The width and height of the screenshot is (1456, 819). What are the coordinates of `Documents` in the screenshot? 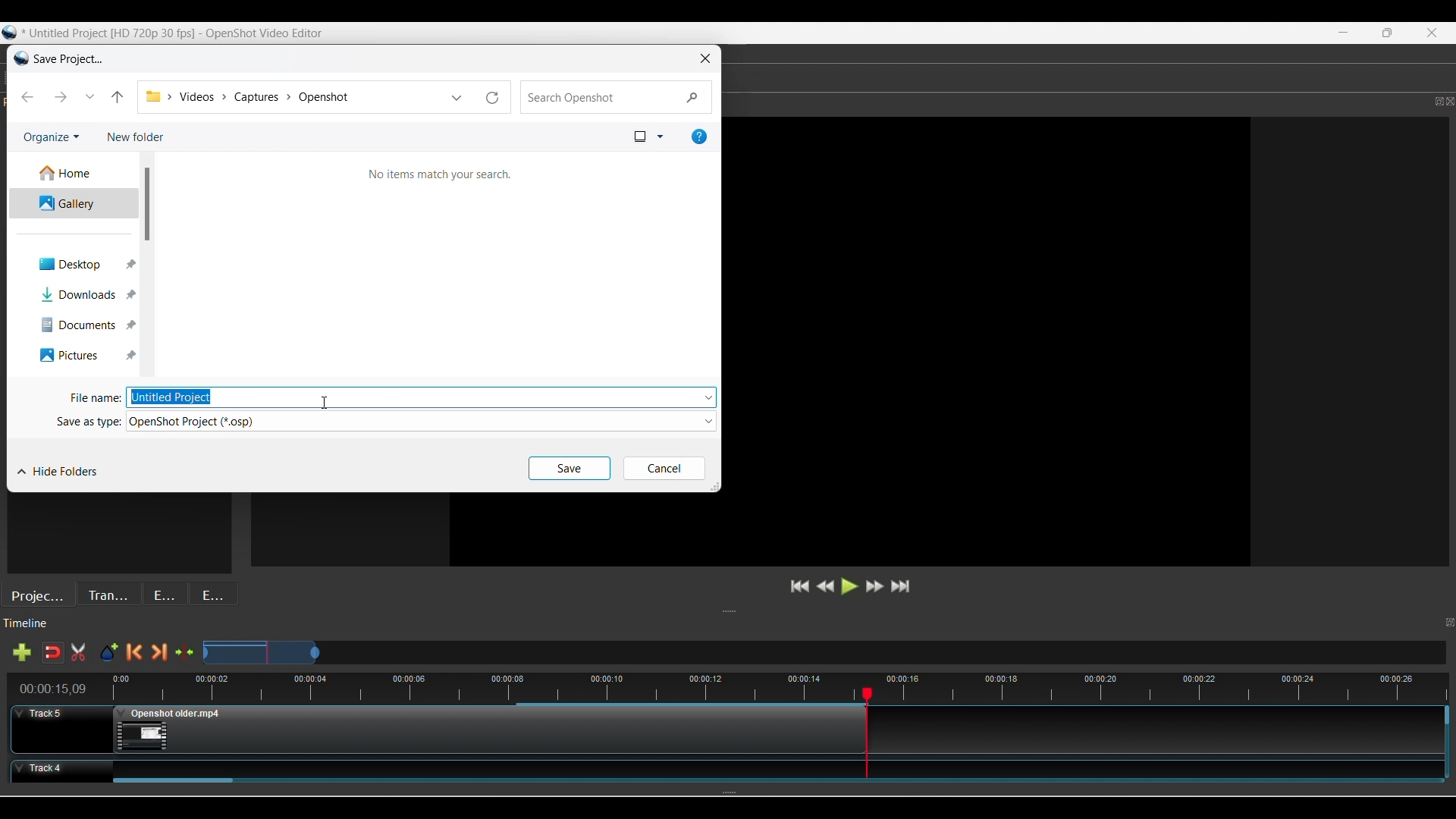 It's located at (78, 325).